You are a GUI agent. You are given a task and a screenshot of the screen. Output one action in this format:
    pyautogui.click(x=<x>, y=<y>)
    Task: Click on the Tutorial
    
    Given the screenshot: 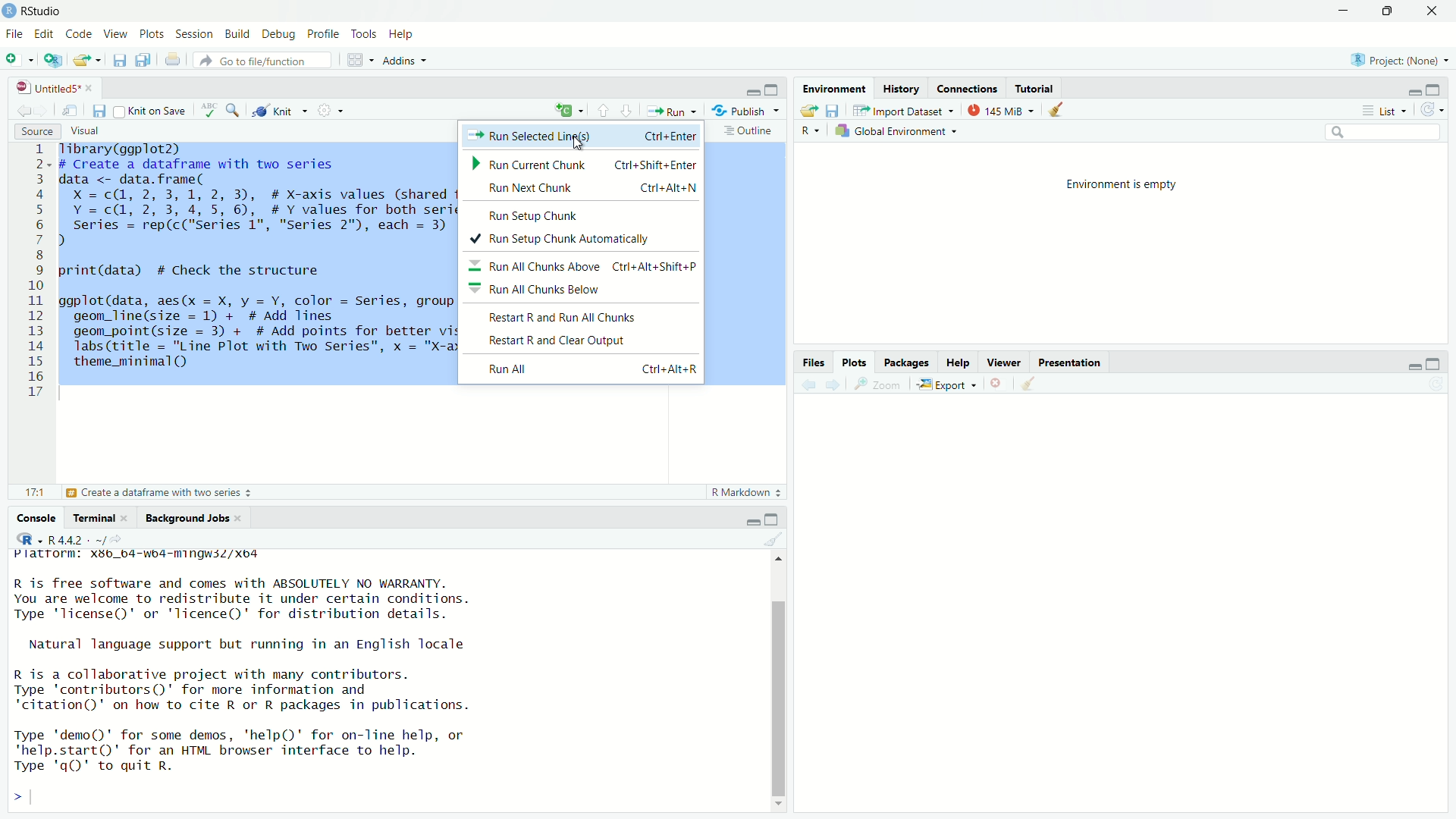 What is the action you would take?
    pyautogui.click(x=1033, y=87)
    